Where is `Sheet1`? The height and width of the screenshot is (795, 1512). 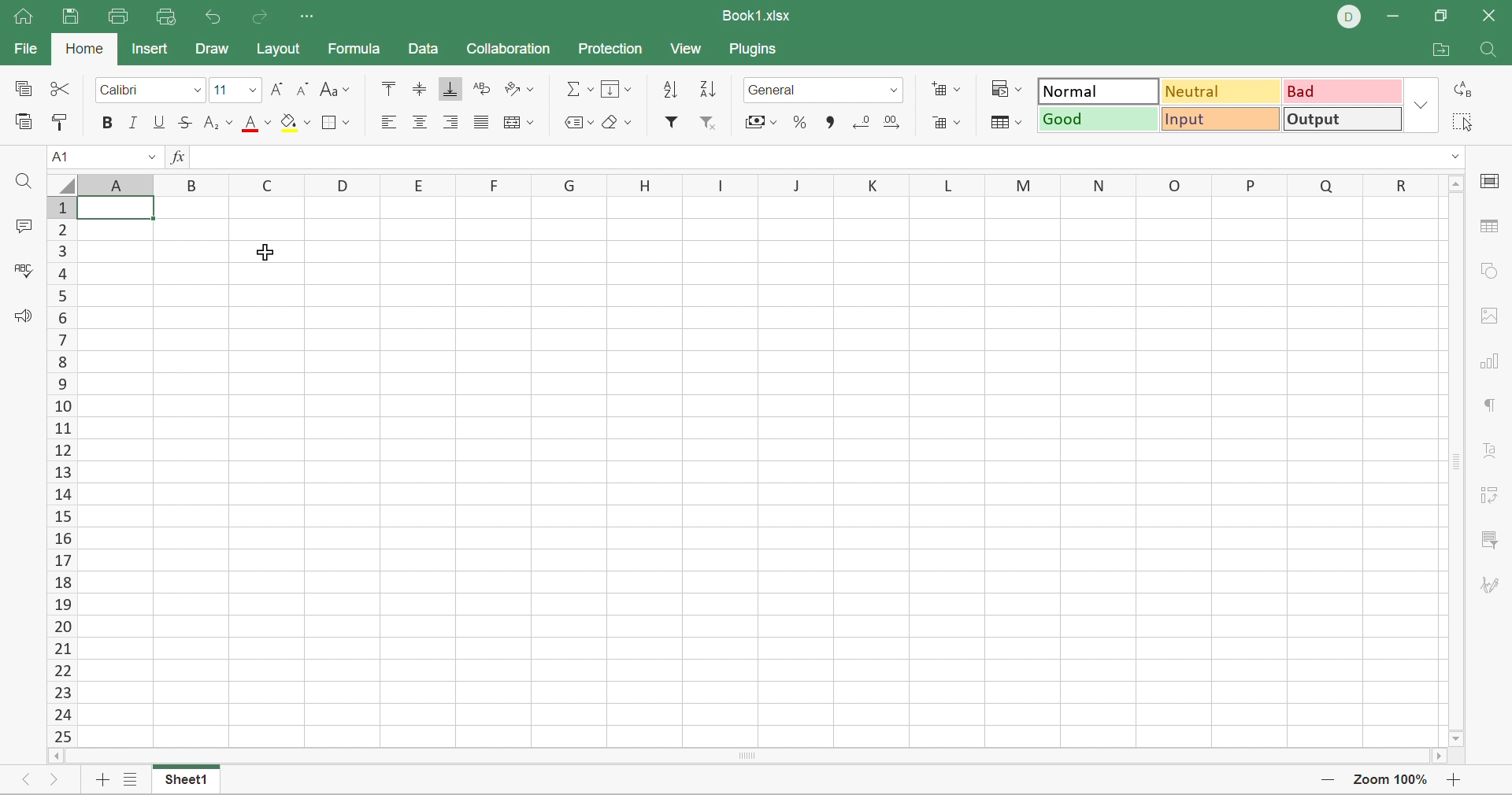
Sheet1 is located at coordinates (190, 781).